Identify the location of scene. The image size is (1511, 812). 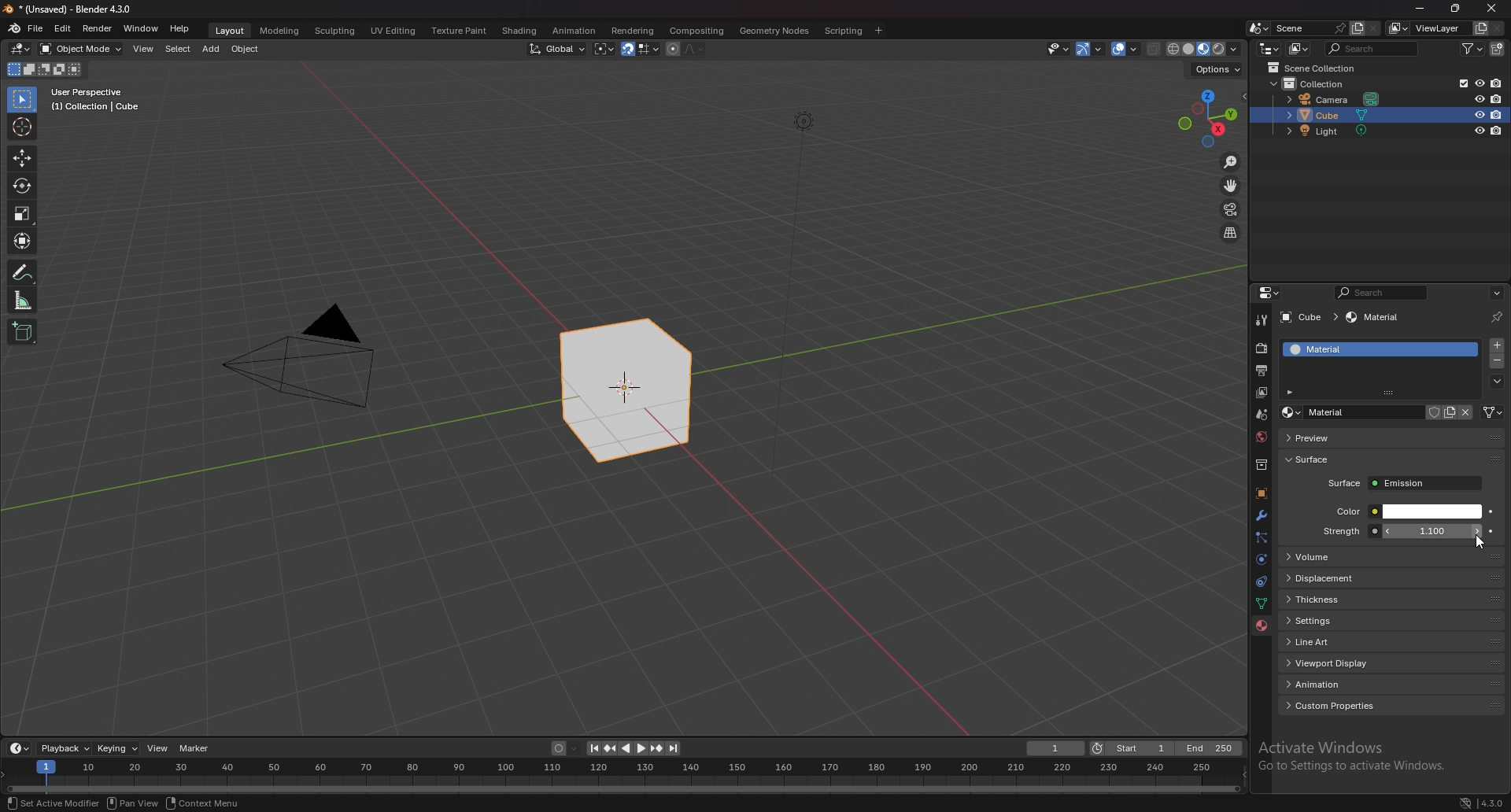
(1307, 28).